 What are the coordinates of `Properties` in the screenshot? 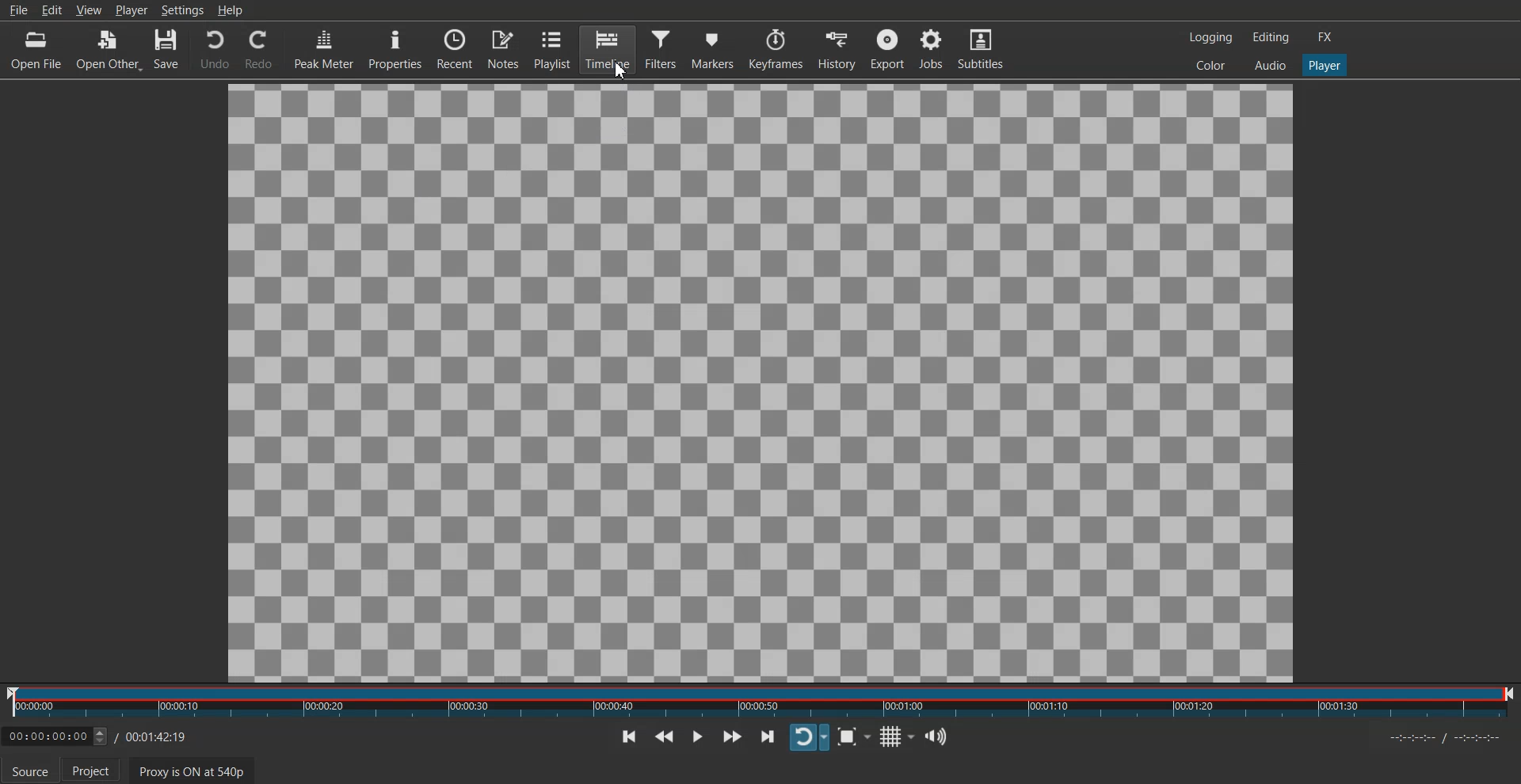 It's located at (395, 48).